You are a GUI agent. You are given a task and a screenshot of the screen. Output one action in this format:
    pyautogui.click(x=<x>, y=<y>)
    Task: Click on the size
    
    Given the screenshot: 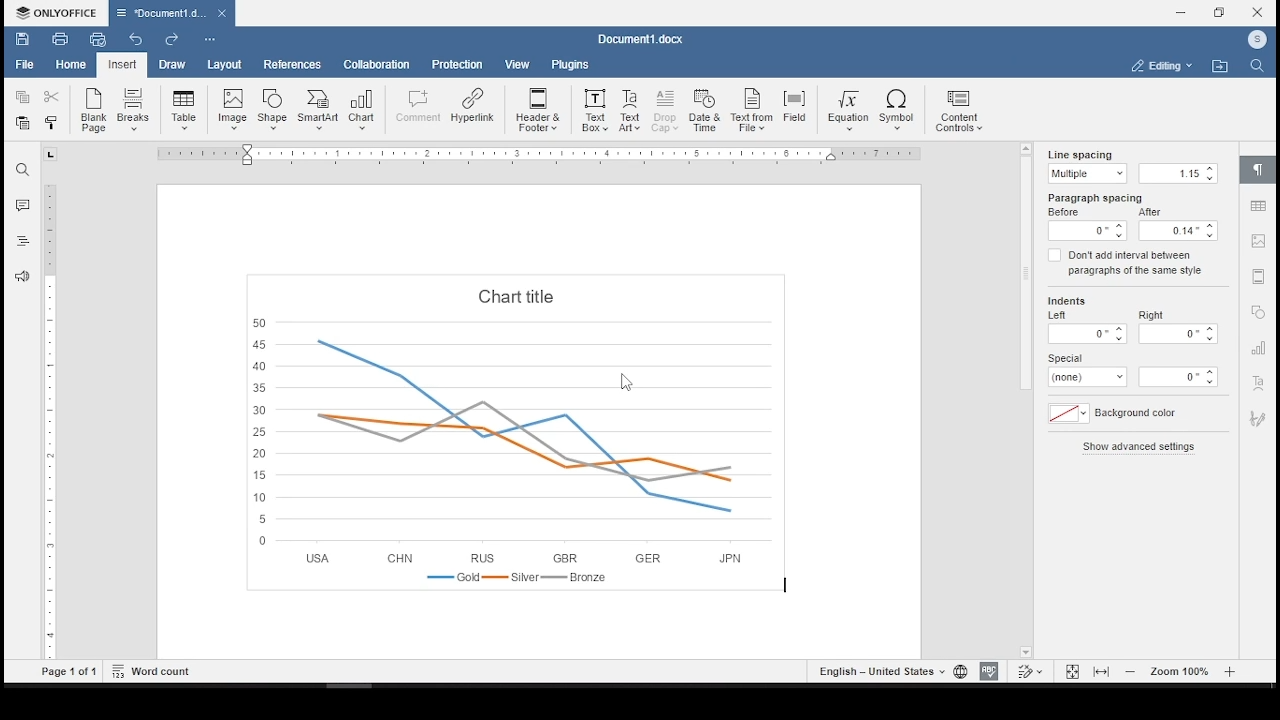 What is the action you would take?
    pyautogui.click(x=1135, y=377)
    